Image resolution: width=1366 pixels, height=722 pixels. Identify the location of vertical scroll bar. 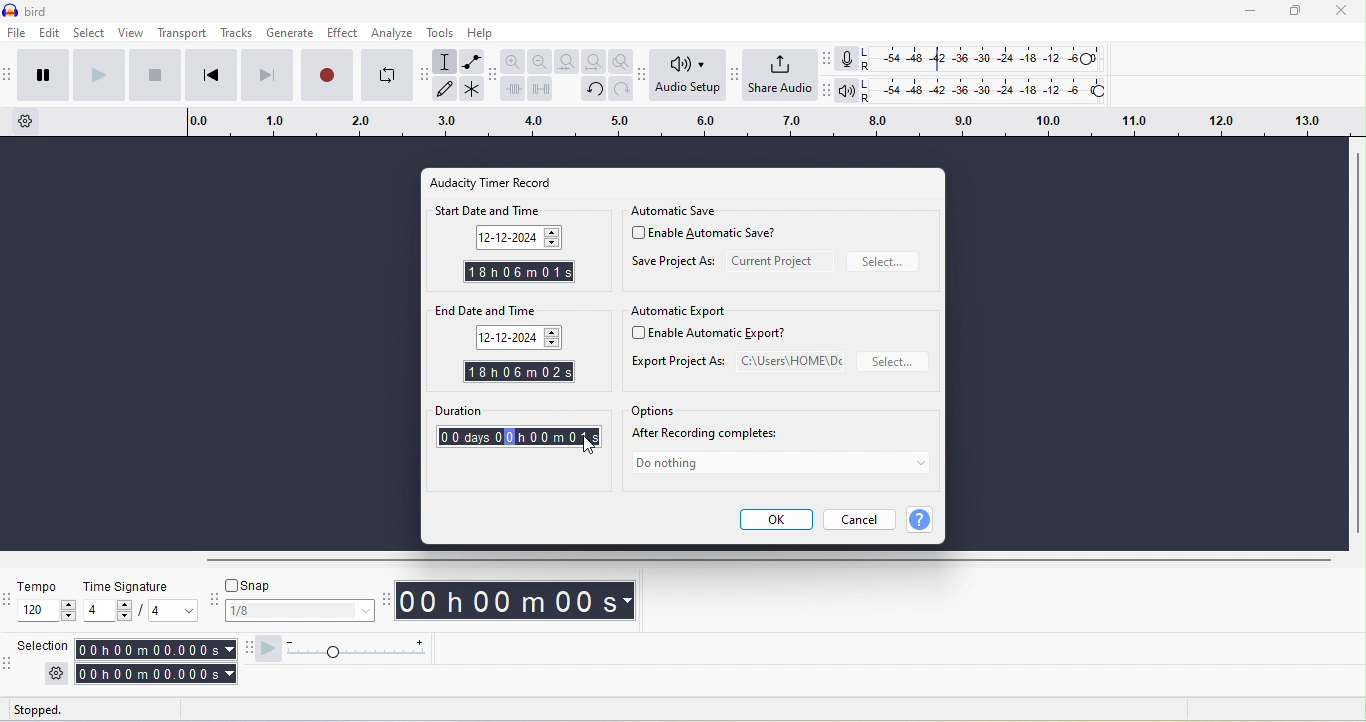
(1356, 341).